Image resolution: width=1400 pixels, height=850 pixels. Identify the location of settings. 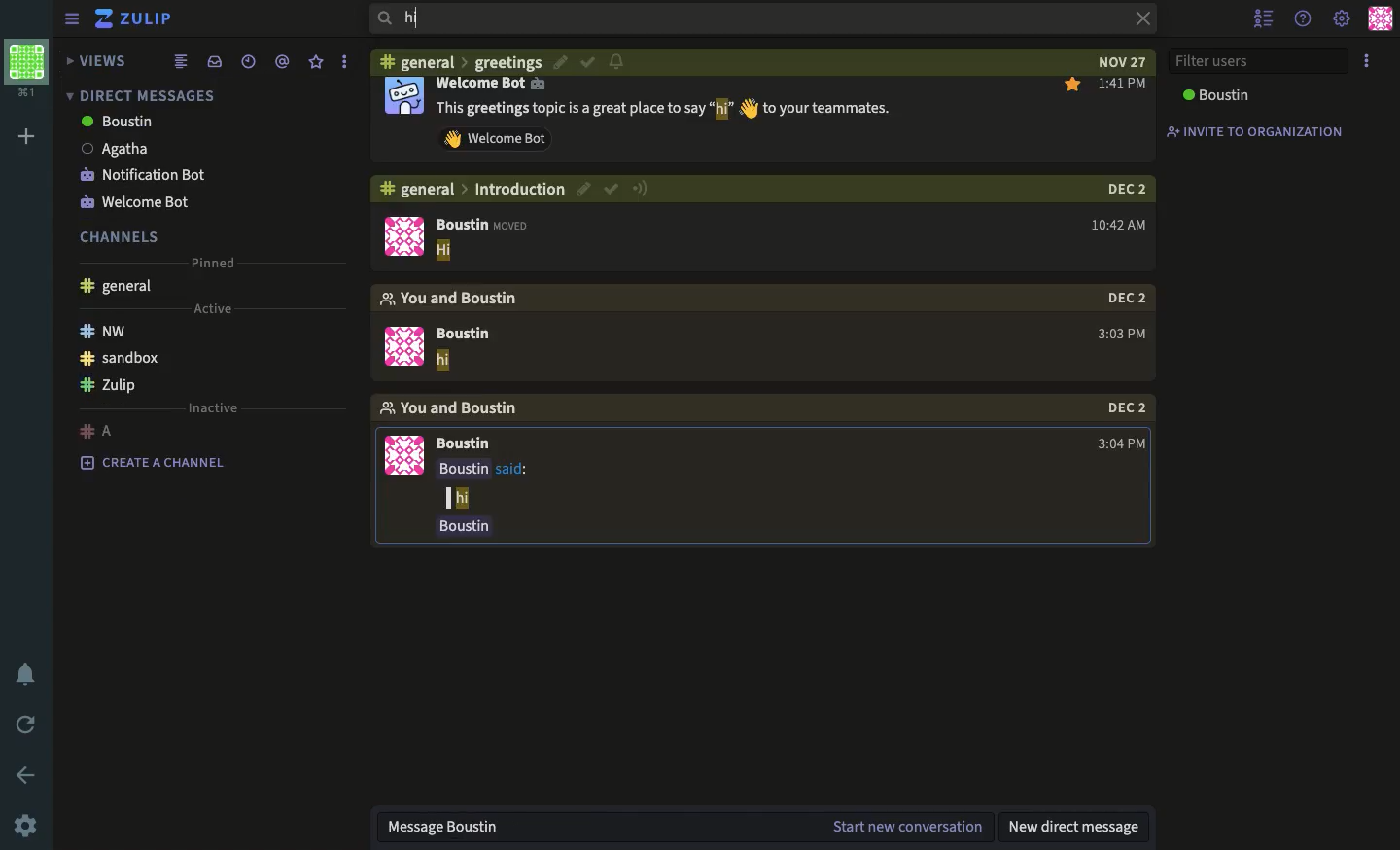
(29, 826).